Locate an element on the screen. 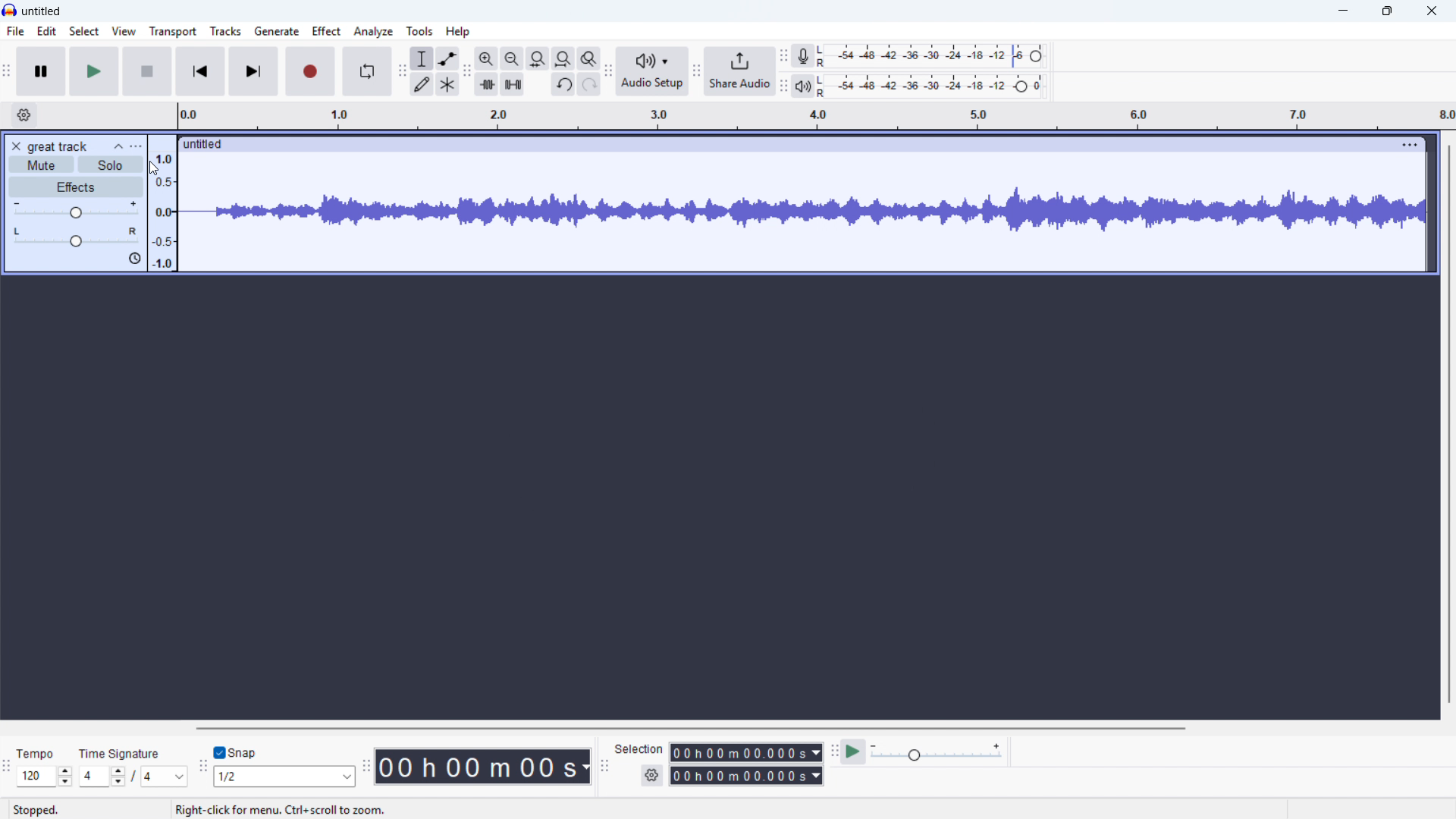 This screenshot has height=819, width=1456. mute  is located at coordinates (41, 165).